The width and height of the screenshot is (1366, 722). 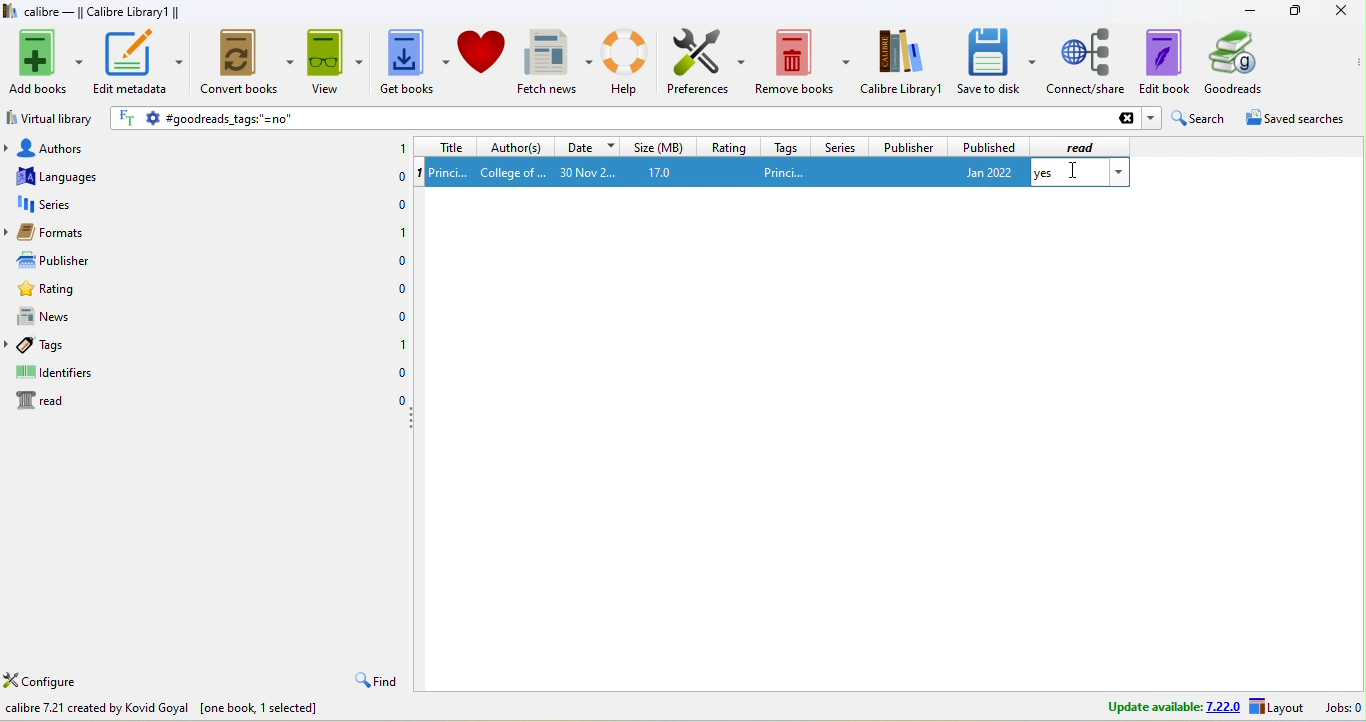 I want to click on jobs 0, so click(x=1342, y=709).